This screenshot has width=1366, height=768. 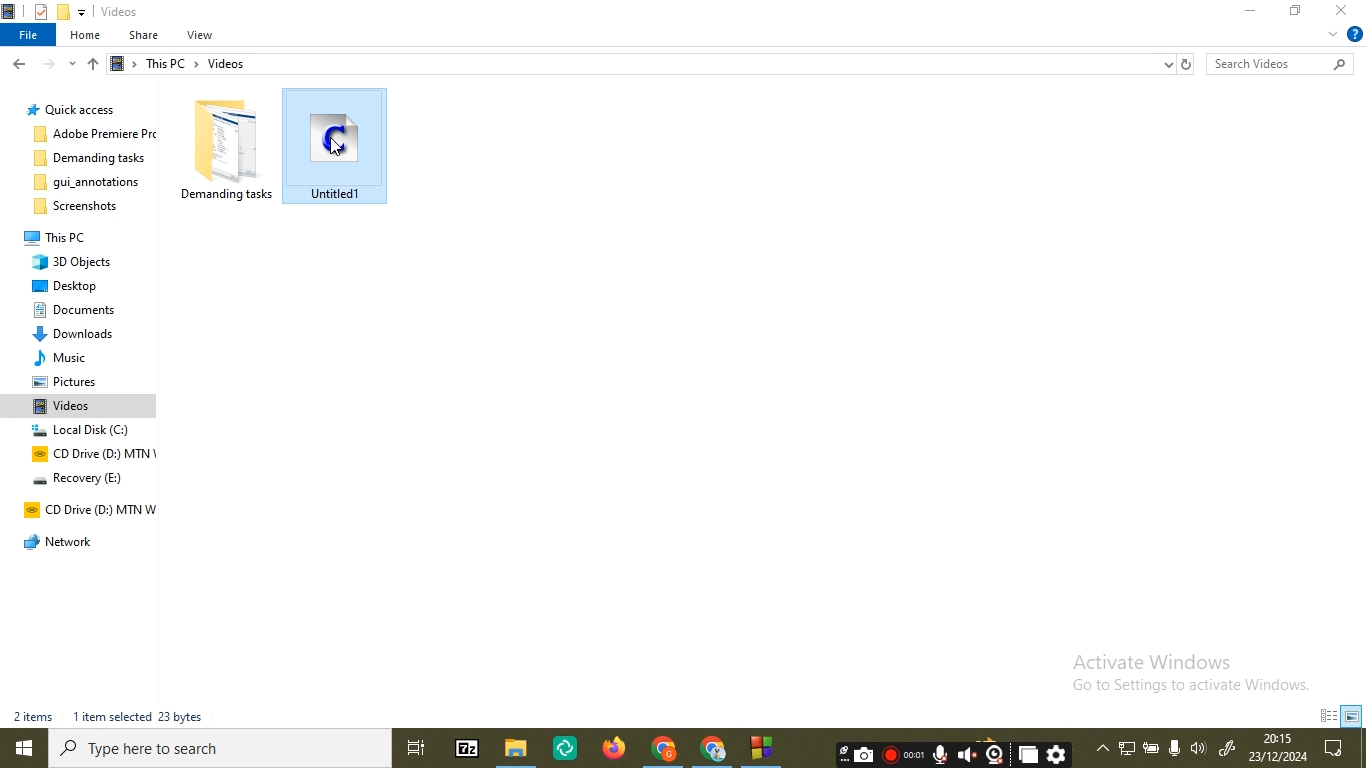 I want to click on navigation controls, so click(x=52, y=63).